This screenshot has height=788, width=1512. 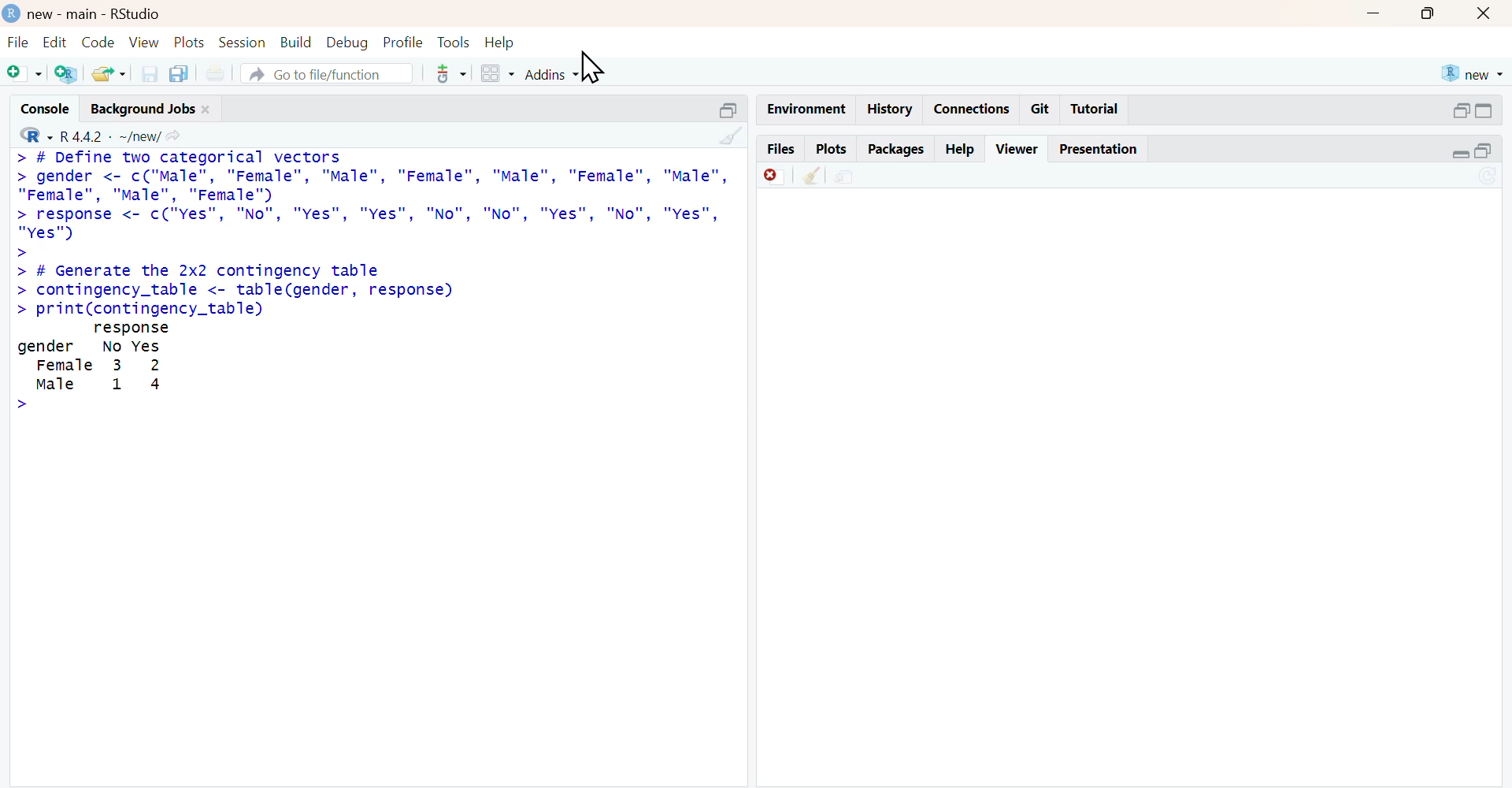 I want to click on connections, so click(x=973, y=110).